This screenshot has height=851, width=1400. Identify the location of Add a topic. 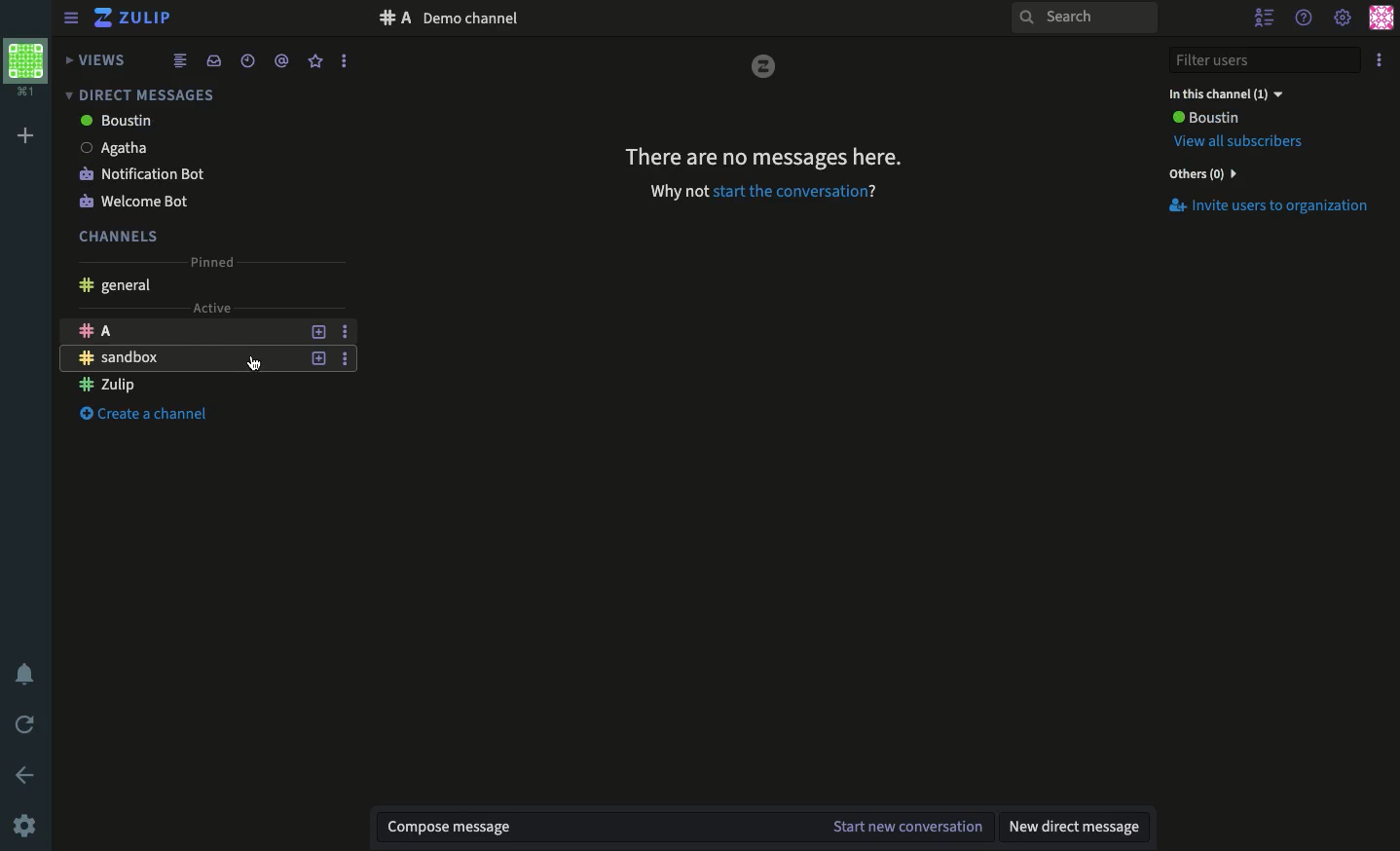
(321, 357).